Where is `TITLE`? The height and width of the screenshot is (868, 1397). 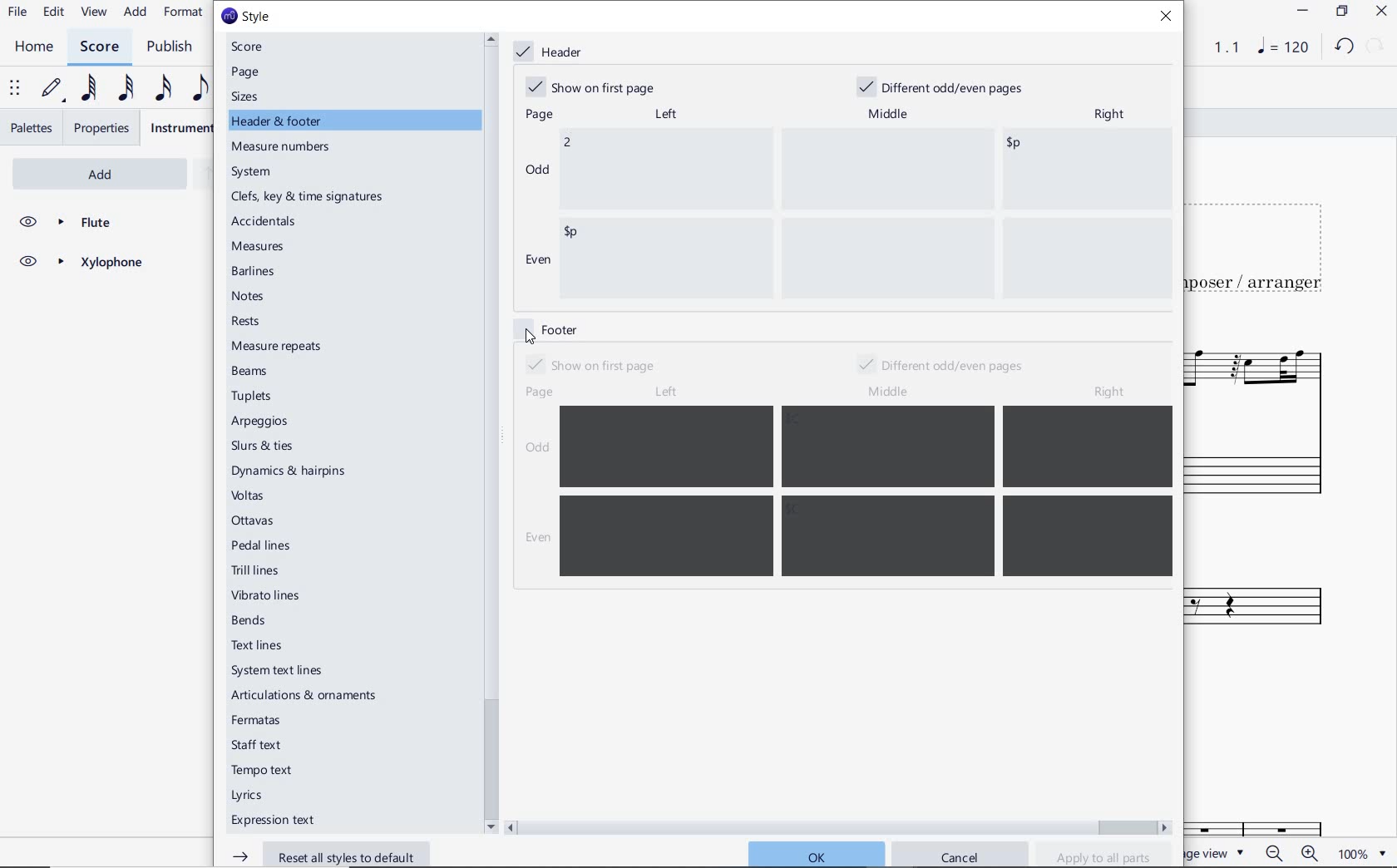 TITLE is located at coordinates (1261, 240).